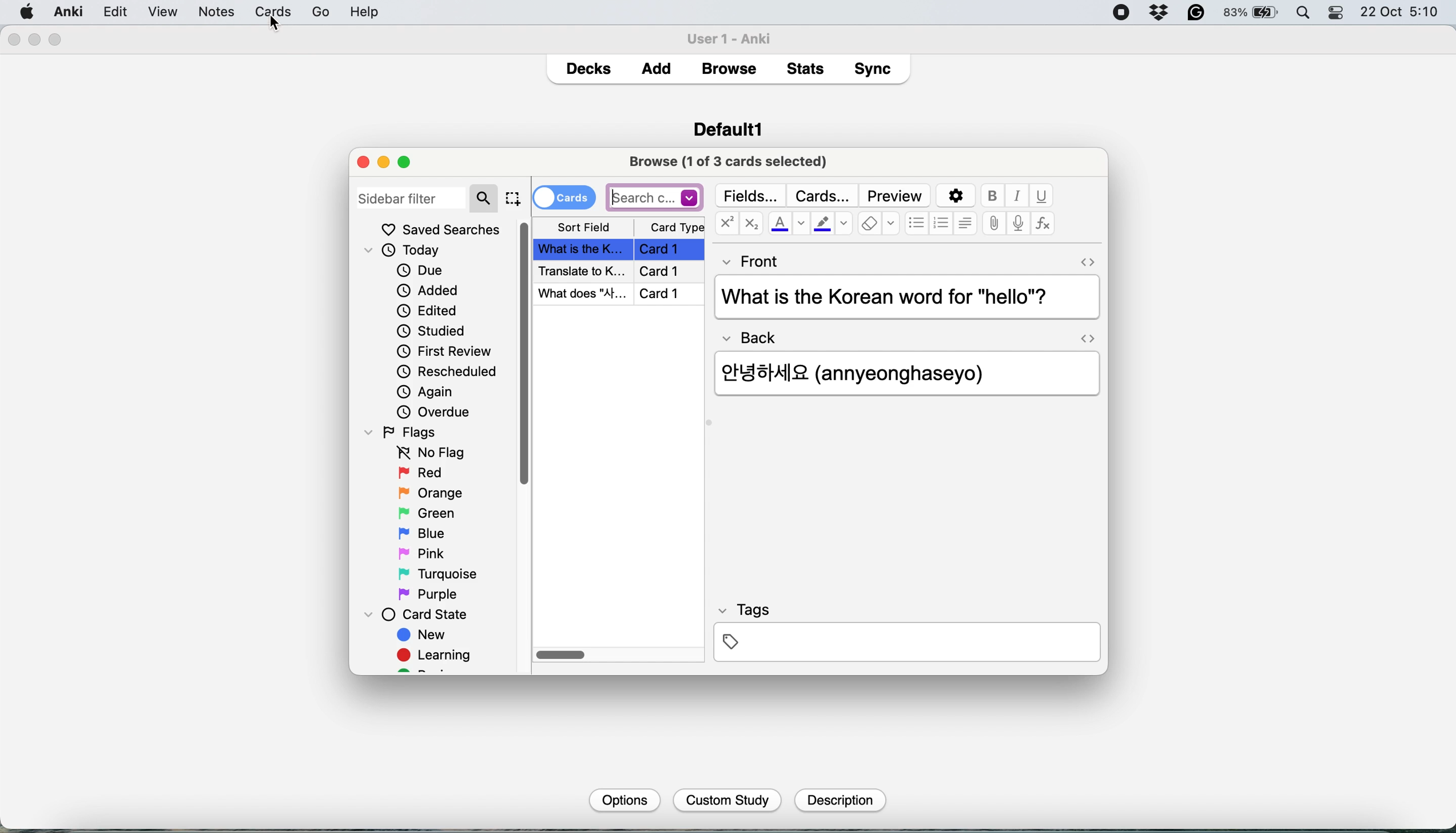 The image size is (1456, 833). What do you see at coordinates (430, 532) in the screenshot?
I see `blue` at bounding box center [430, 532].